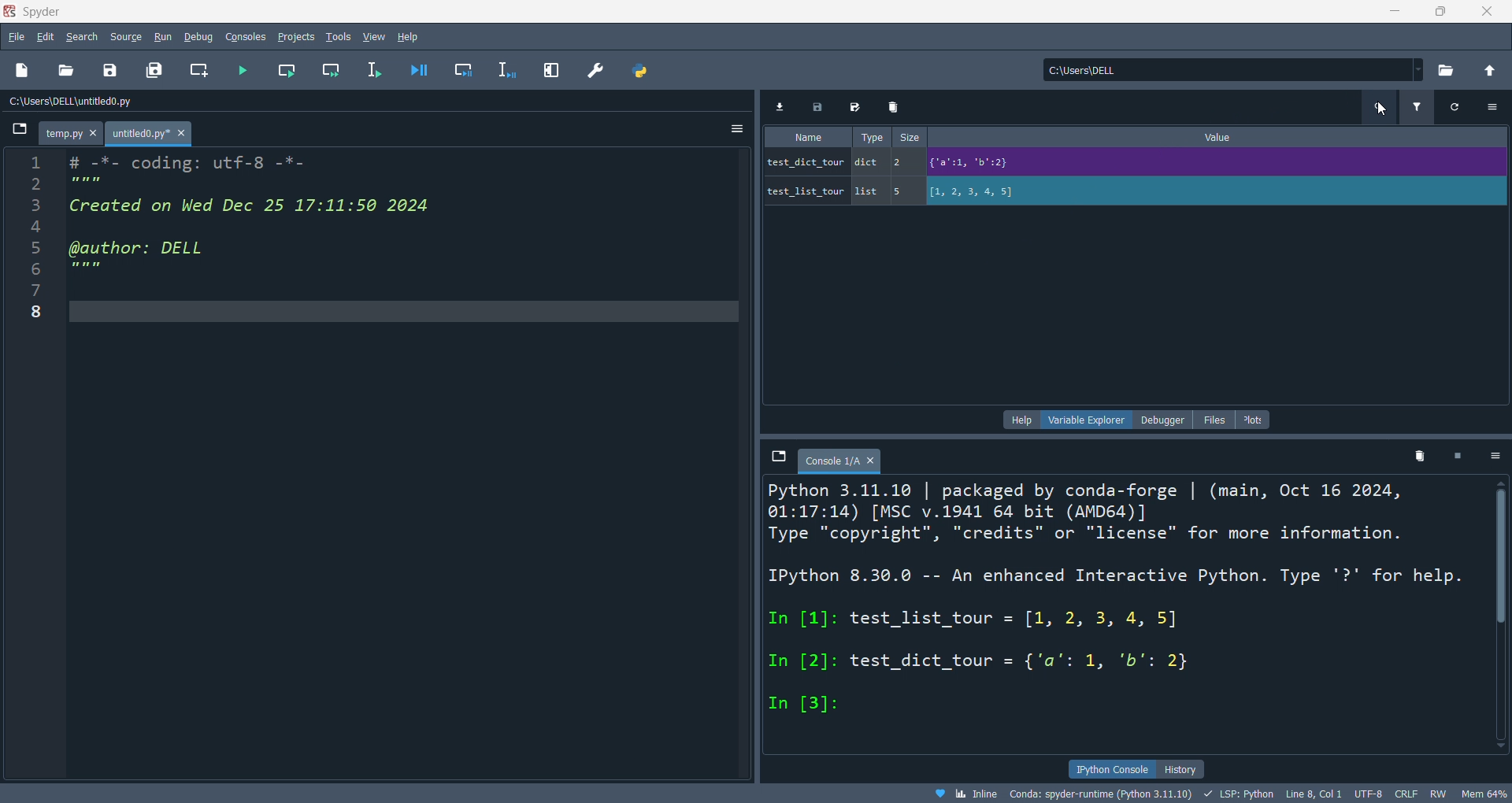  Describe the element at coordinates (125, 35) in the screenshot. I see `source` at that location.